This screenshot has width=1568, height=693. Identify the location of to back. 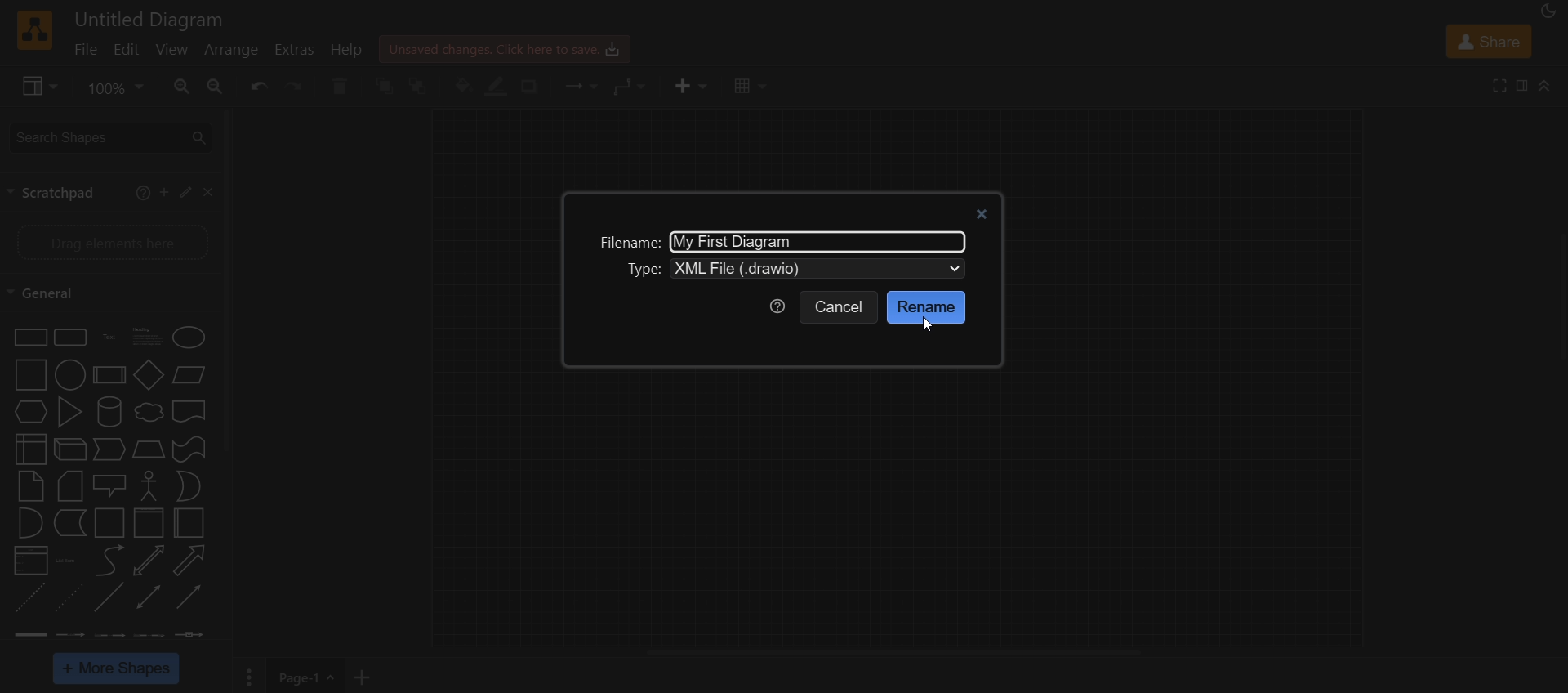
(423, 85).